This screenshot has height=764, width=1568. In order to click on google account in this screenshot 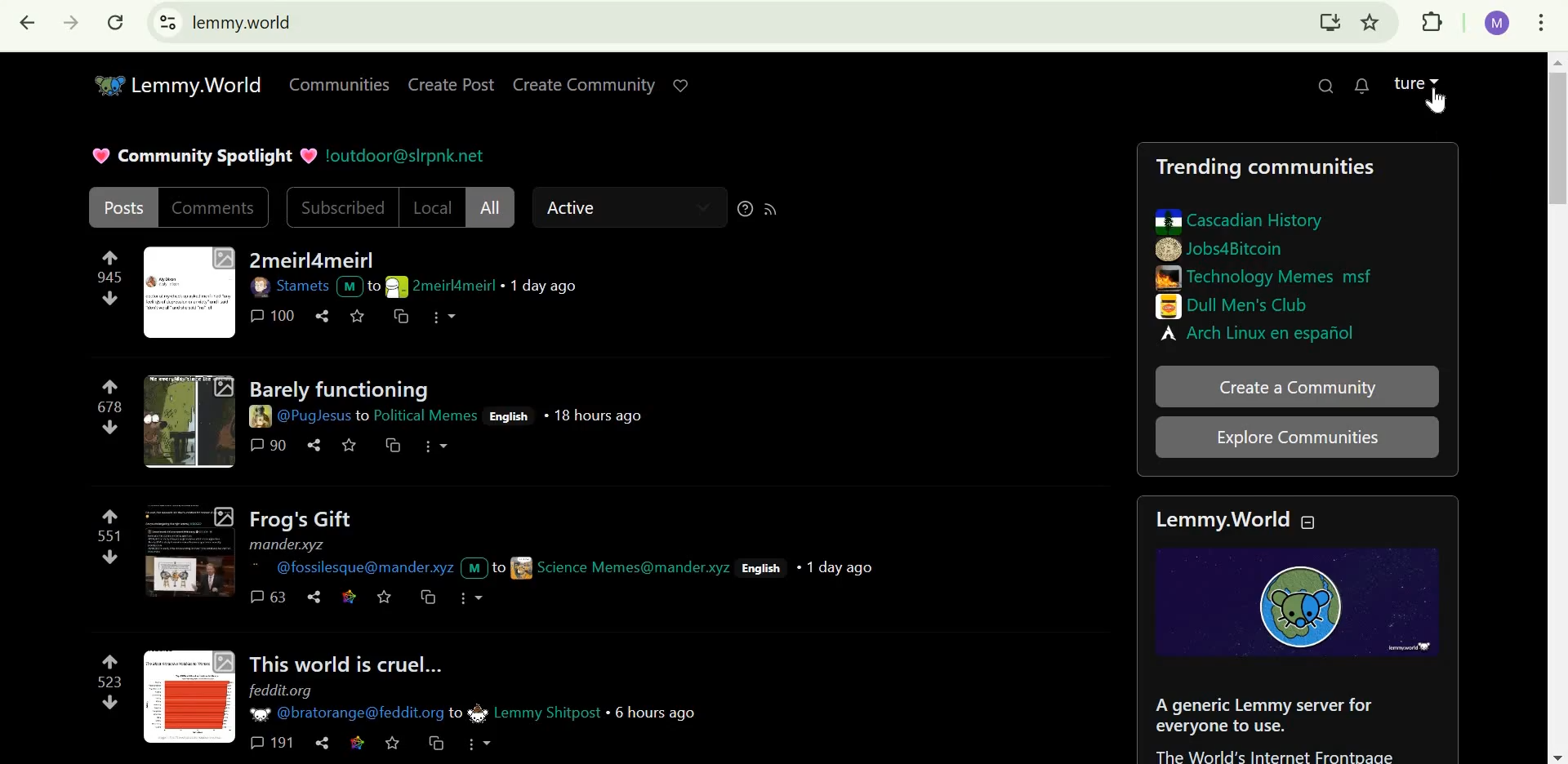, I will do `click(1499, 24)`.